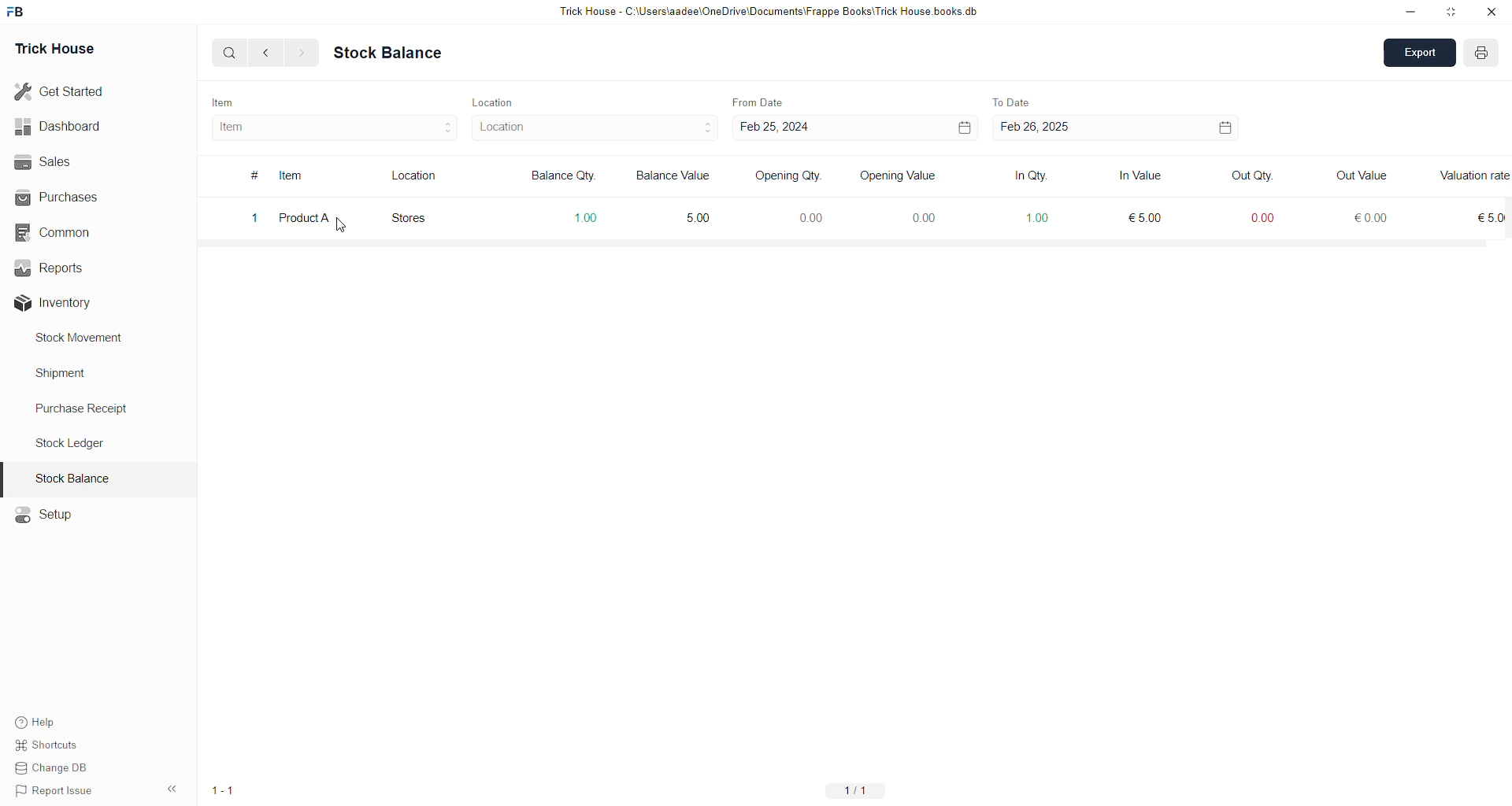 The height and width of the screenshot is (806, 1512). I want to click on Item, so click(299, 176).